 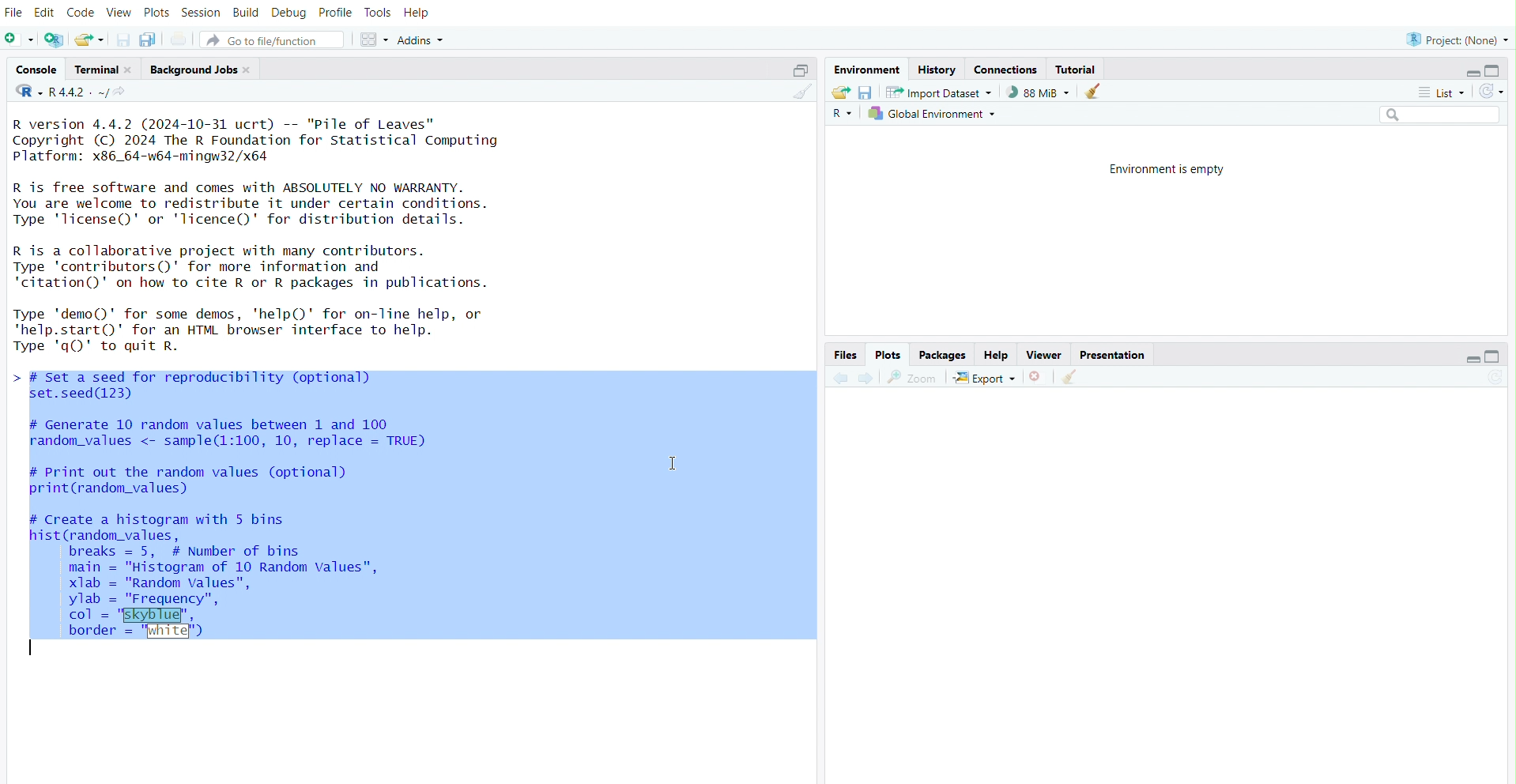 I want to click on previous plot, so click(x=835, y=379).